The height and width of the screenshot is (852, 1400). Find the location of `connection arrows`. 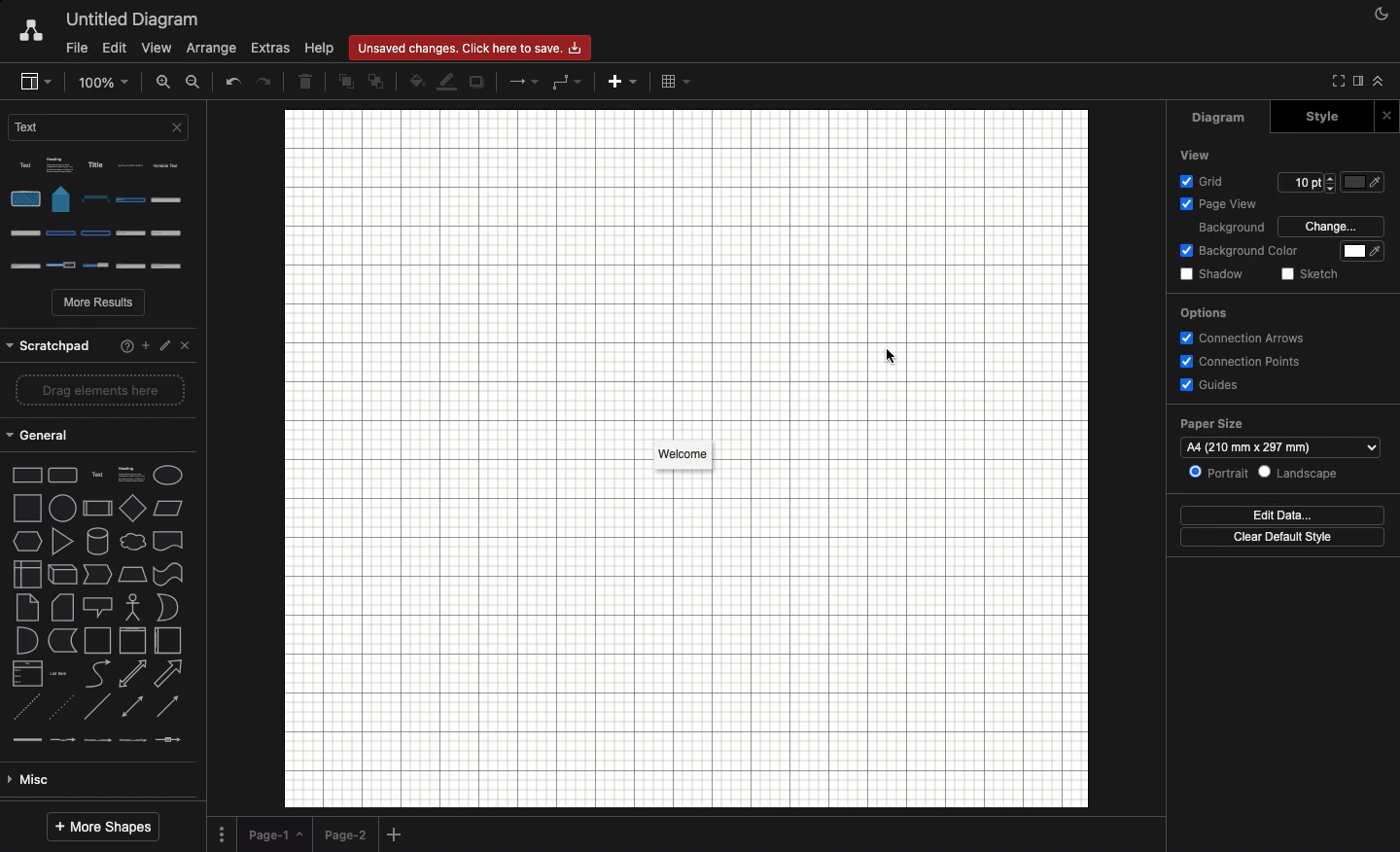

connection arrows is located at coordinates (1243, 336).